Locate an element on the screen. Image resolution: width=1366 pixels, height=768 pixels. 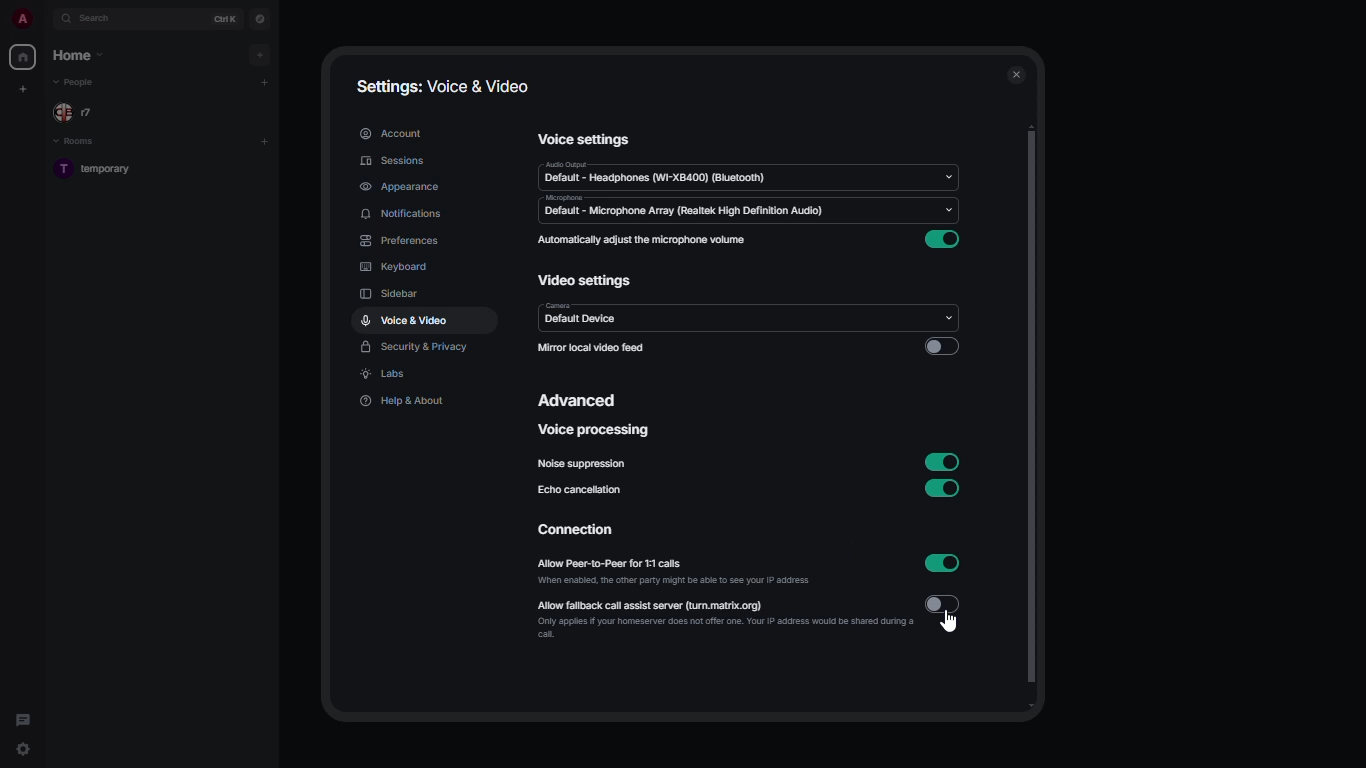
settings: voice & video is located at coordinates (445, 84).